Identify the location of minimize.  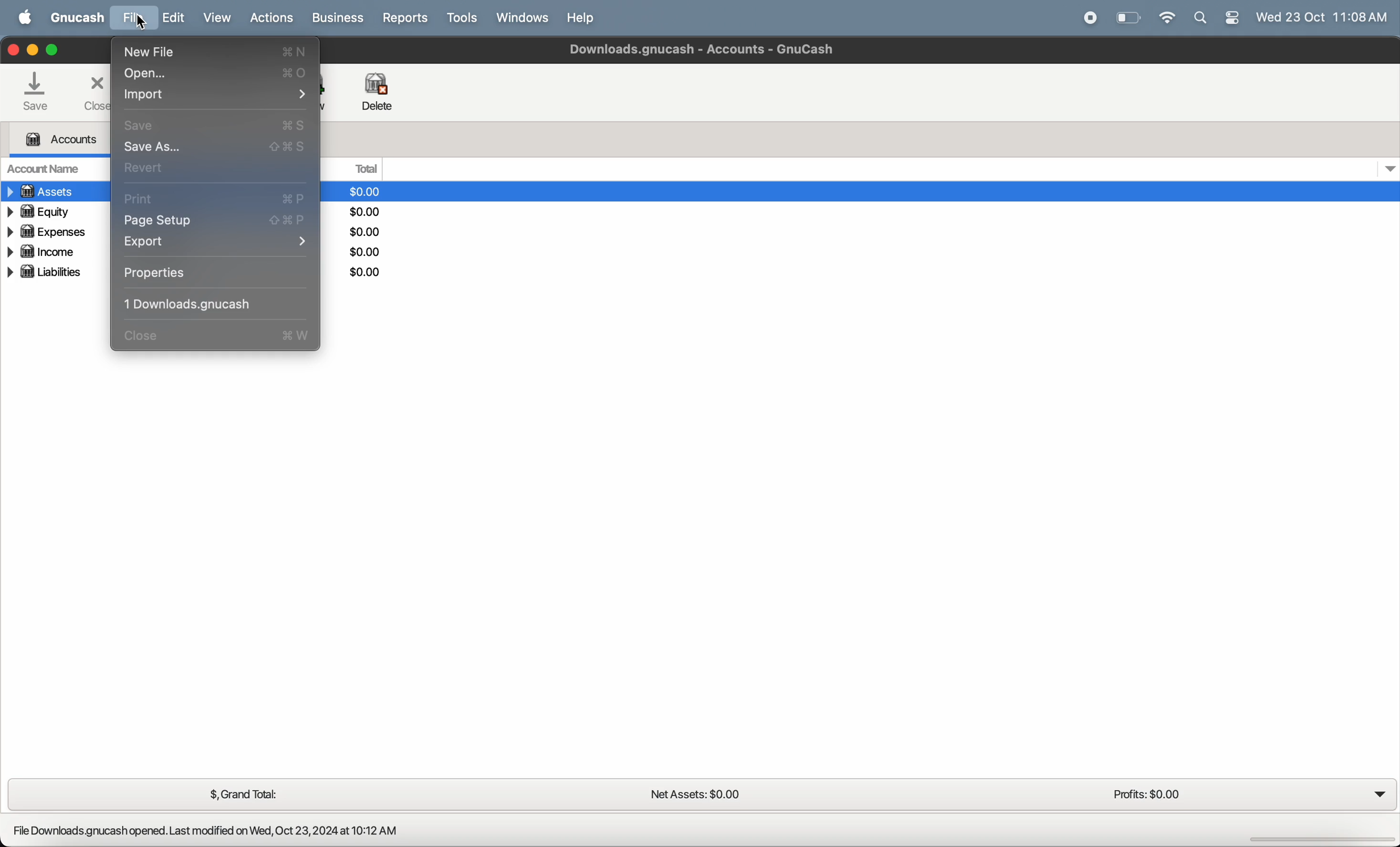
(35, 49).